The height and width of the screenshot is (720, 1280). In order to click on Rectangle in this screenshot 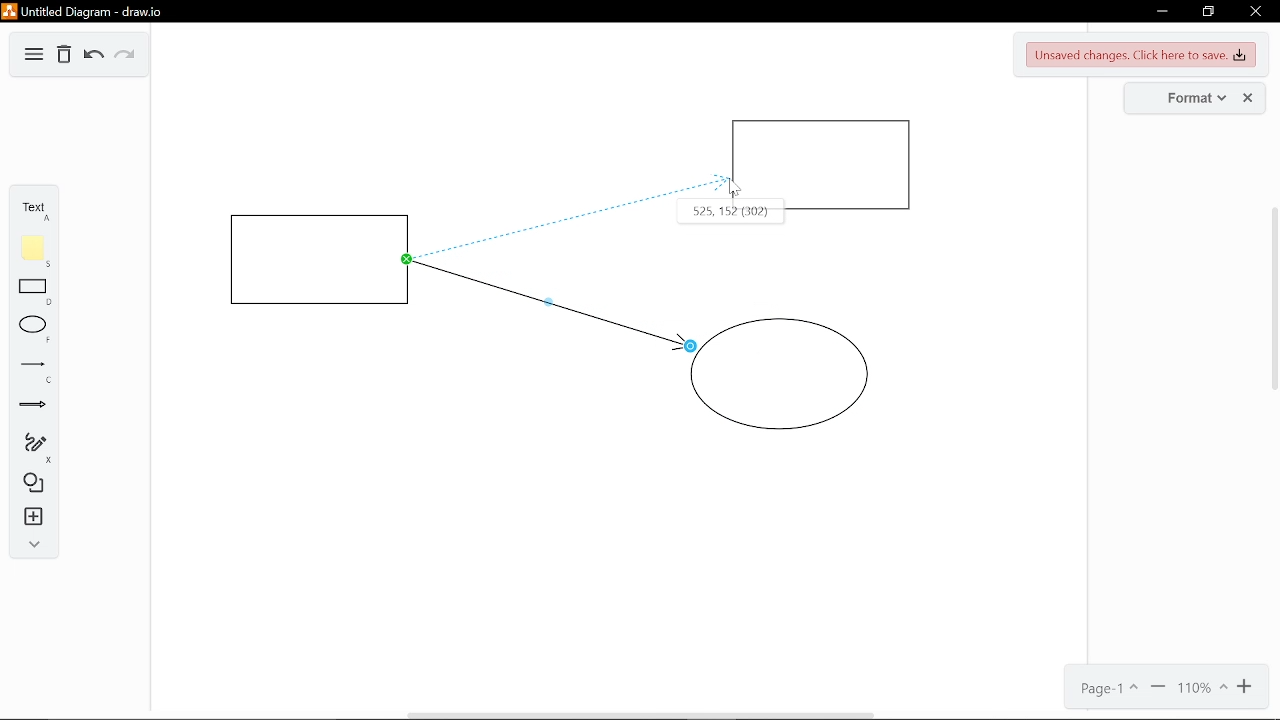, I will do `click(35, 291)`.